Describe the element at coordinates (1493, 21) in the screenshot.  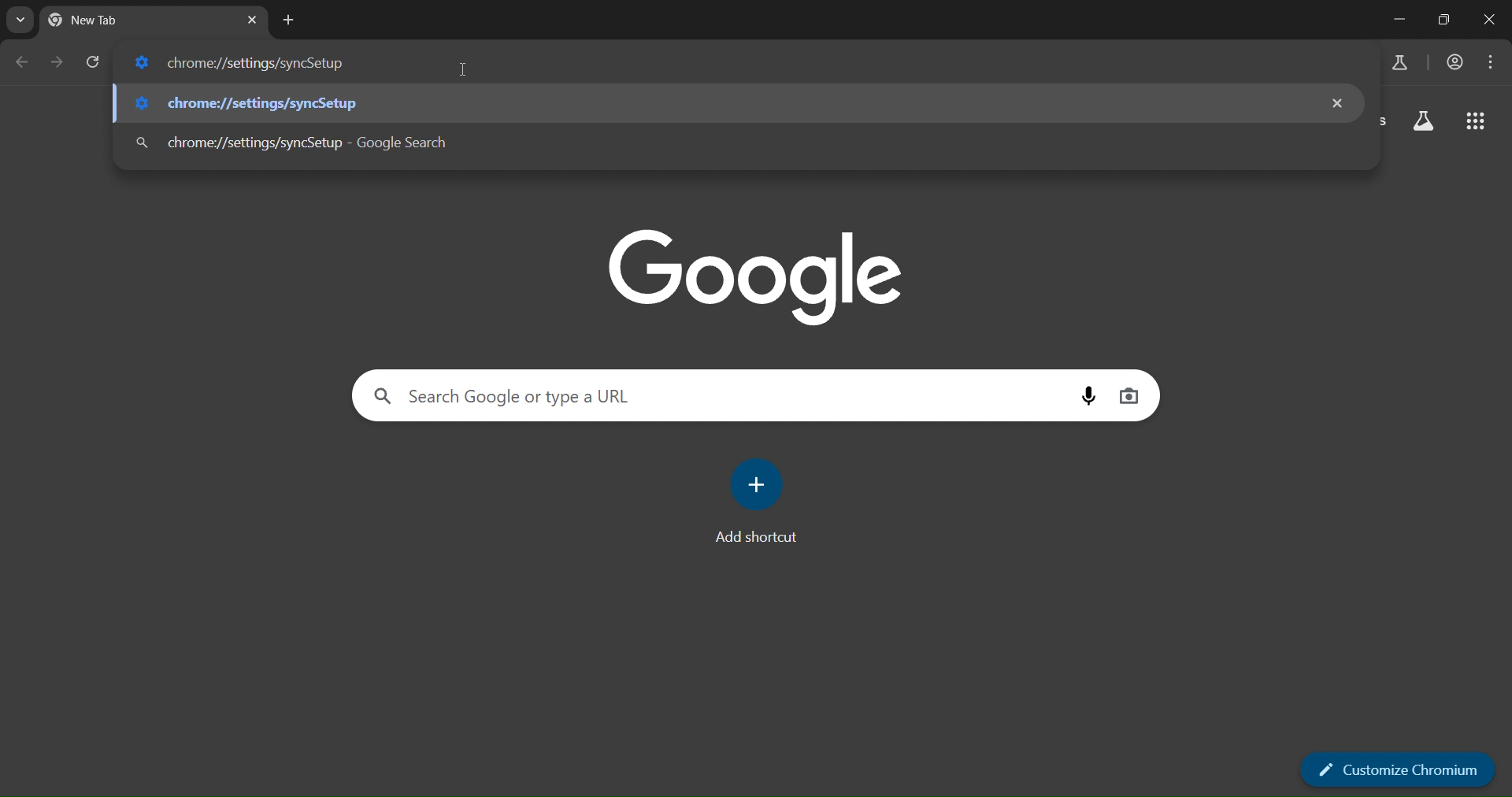
I see `close` at that location.